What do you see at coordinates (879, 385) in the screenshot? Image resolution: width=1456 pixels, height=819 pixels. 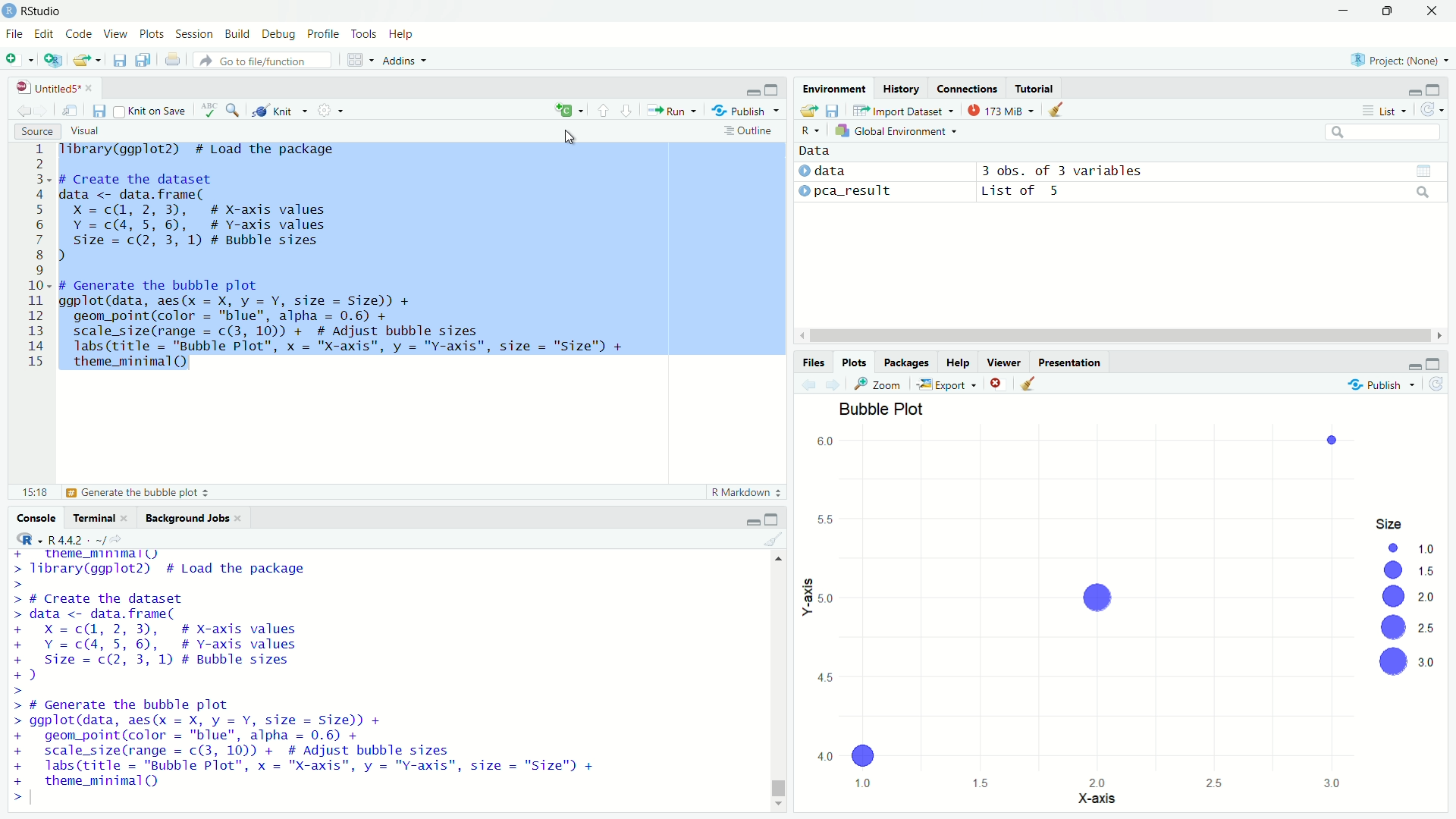 I see `zoom` at bounding box center [879, 385].